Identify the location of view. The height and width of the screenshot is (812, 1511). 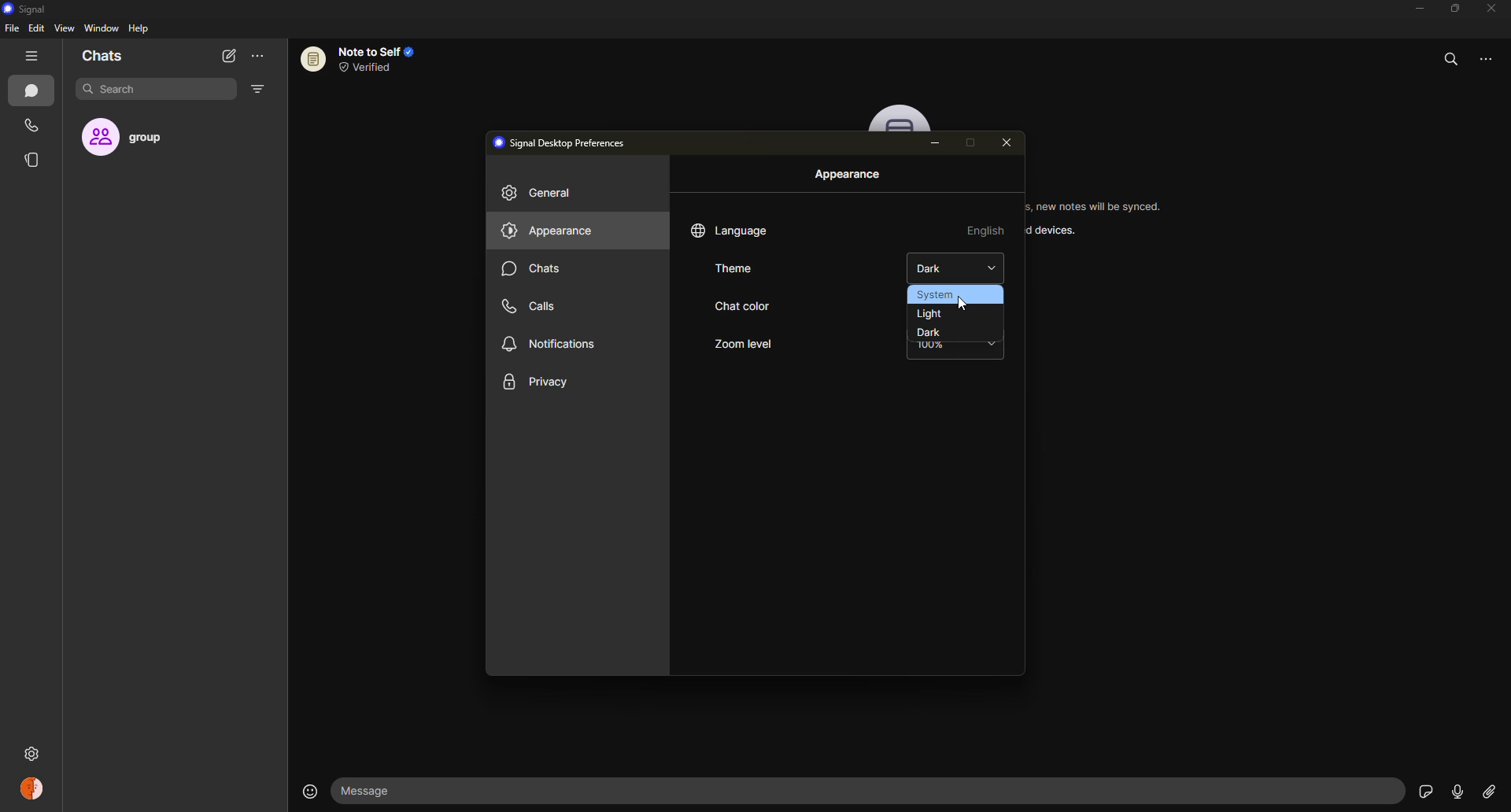
(64, 28).